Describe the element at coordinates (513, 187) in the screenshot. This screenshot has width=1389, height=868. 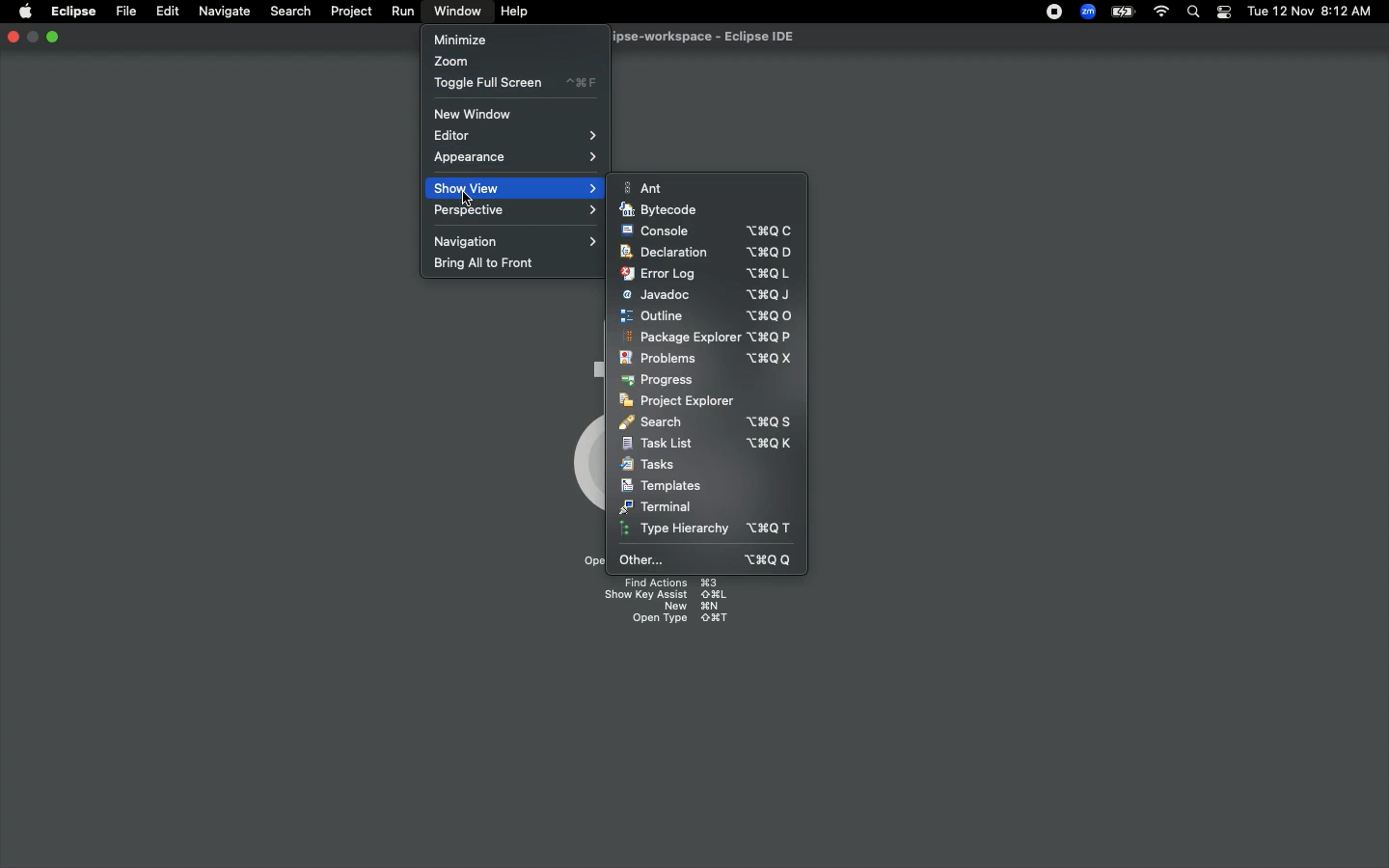
I see `Show view` at that location.